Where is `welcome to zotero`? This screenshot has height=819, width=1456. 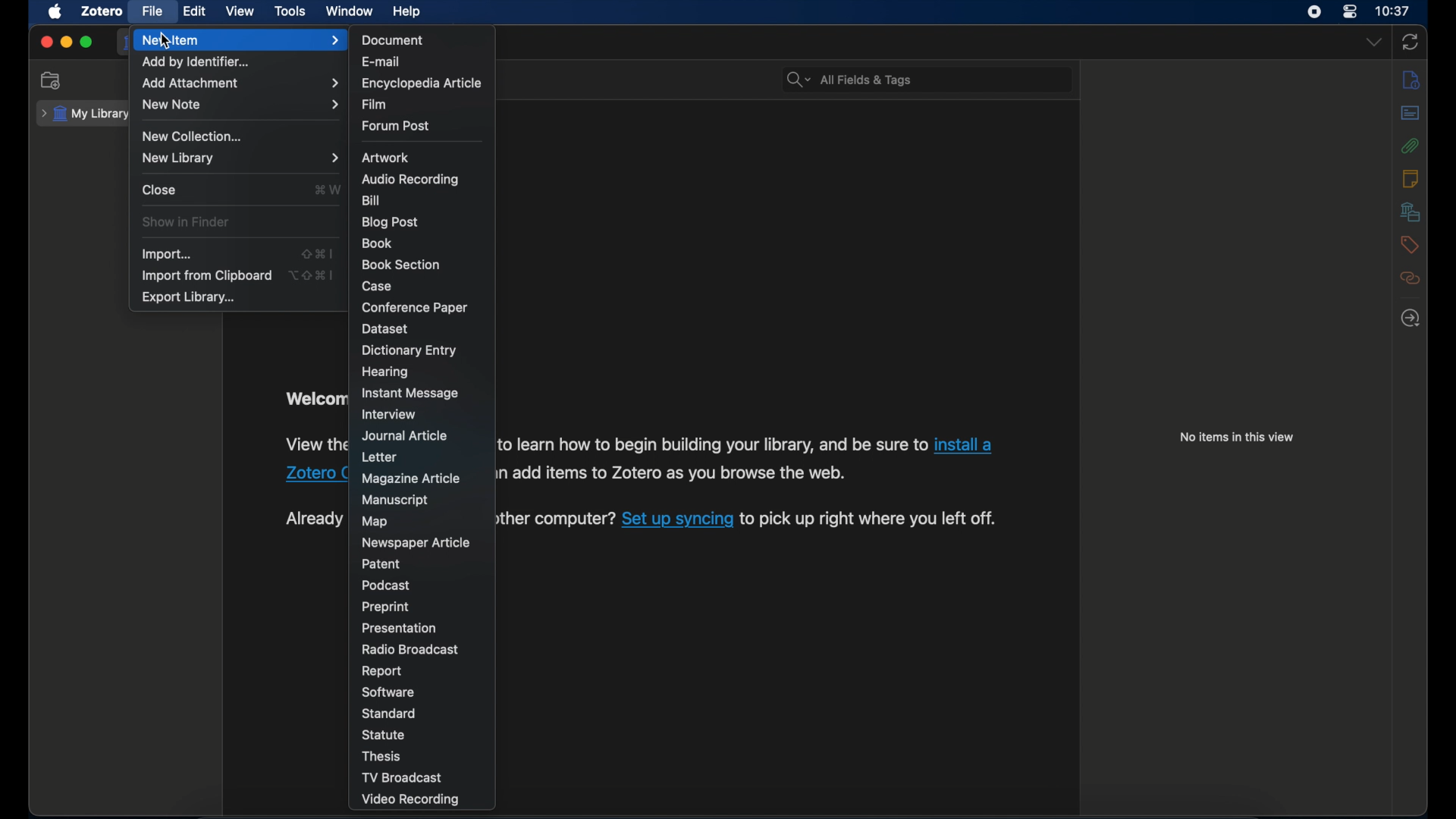
welcome to zotero is located at coordinates (315, 398).